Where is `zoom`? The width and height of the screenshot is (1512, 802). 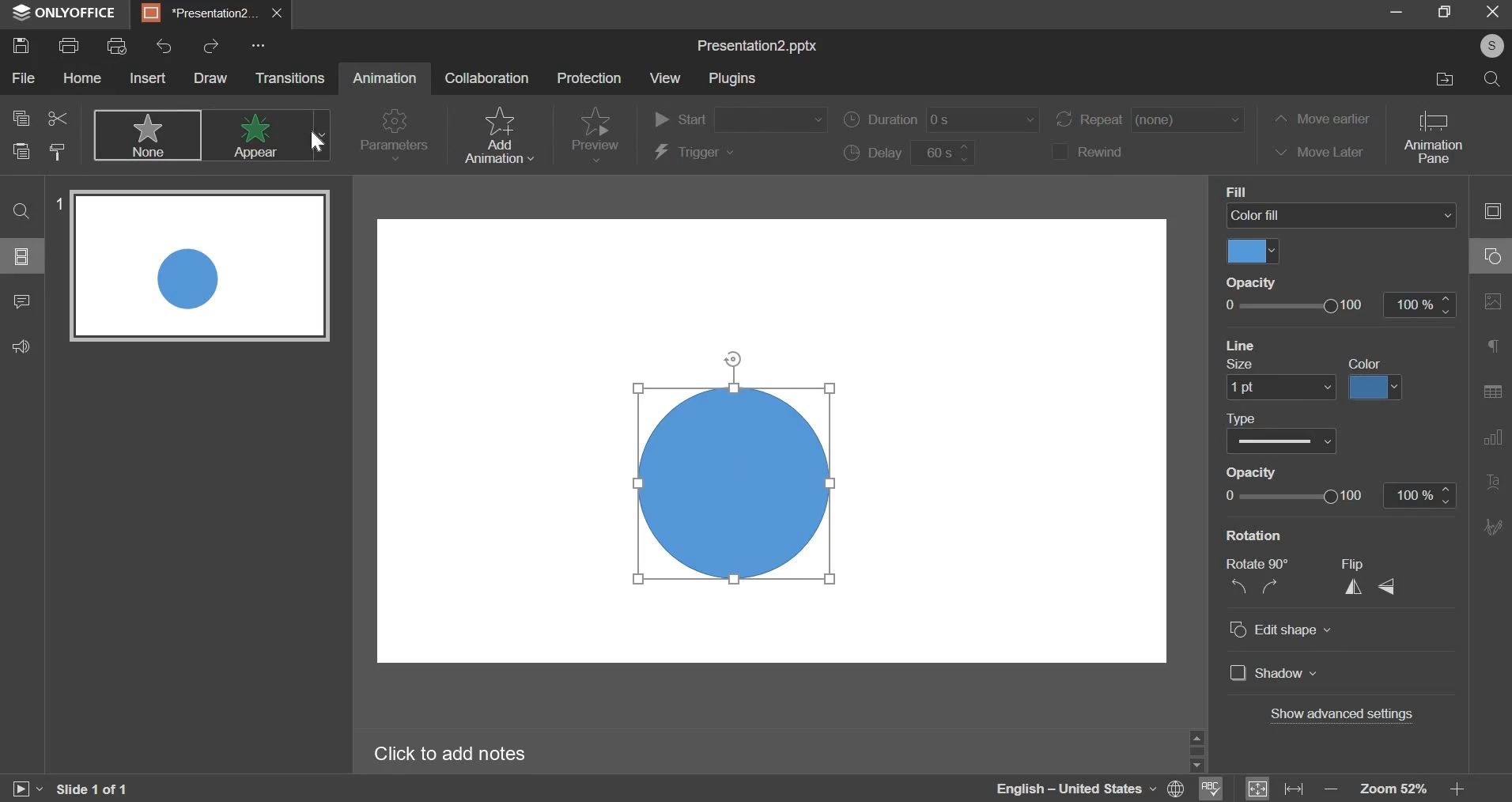
zoom is located at coordinates (1392, 789).